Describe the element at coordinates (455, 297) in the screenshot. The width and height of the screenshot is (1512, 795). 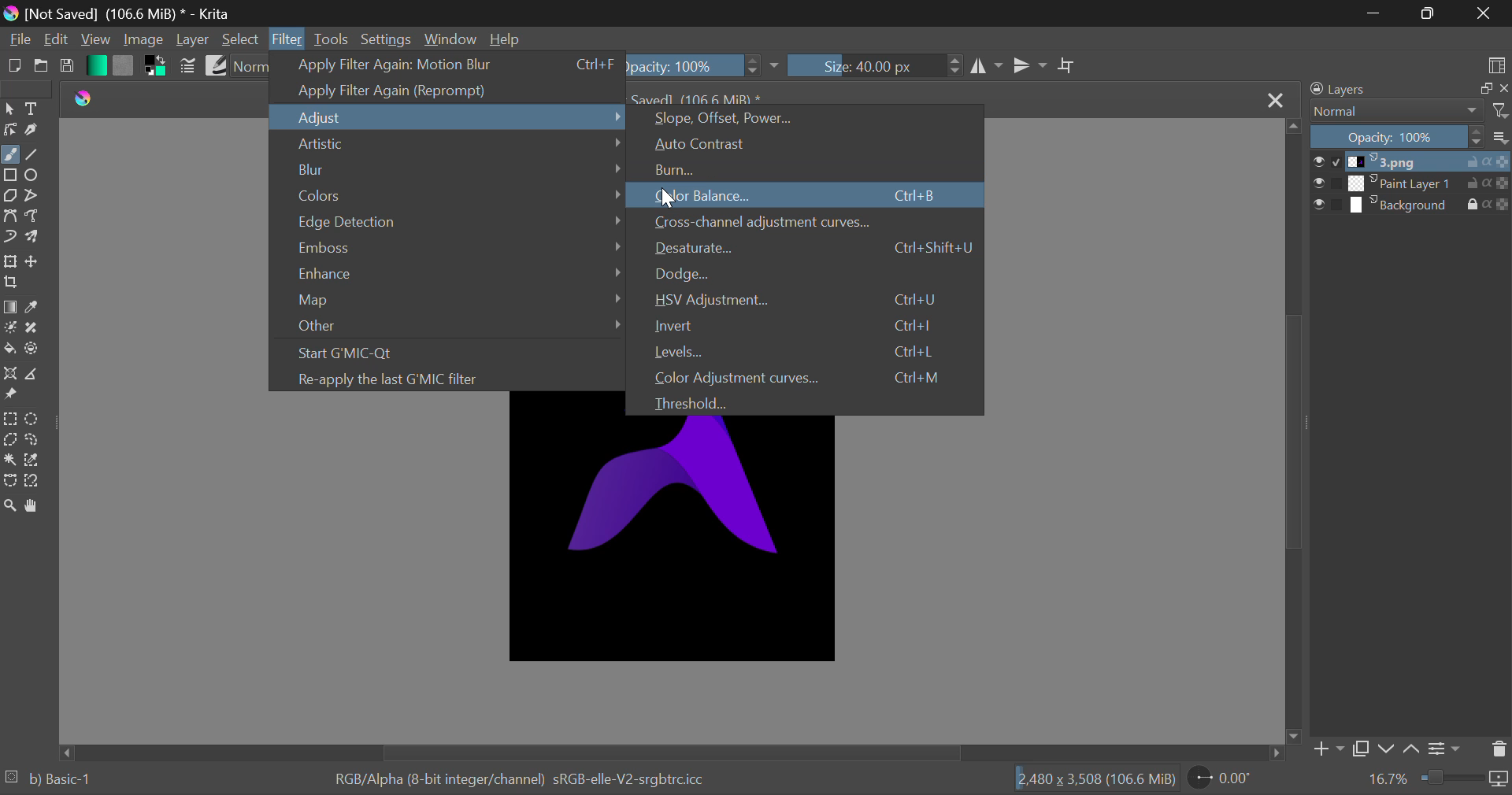
I see `Map` at that location.